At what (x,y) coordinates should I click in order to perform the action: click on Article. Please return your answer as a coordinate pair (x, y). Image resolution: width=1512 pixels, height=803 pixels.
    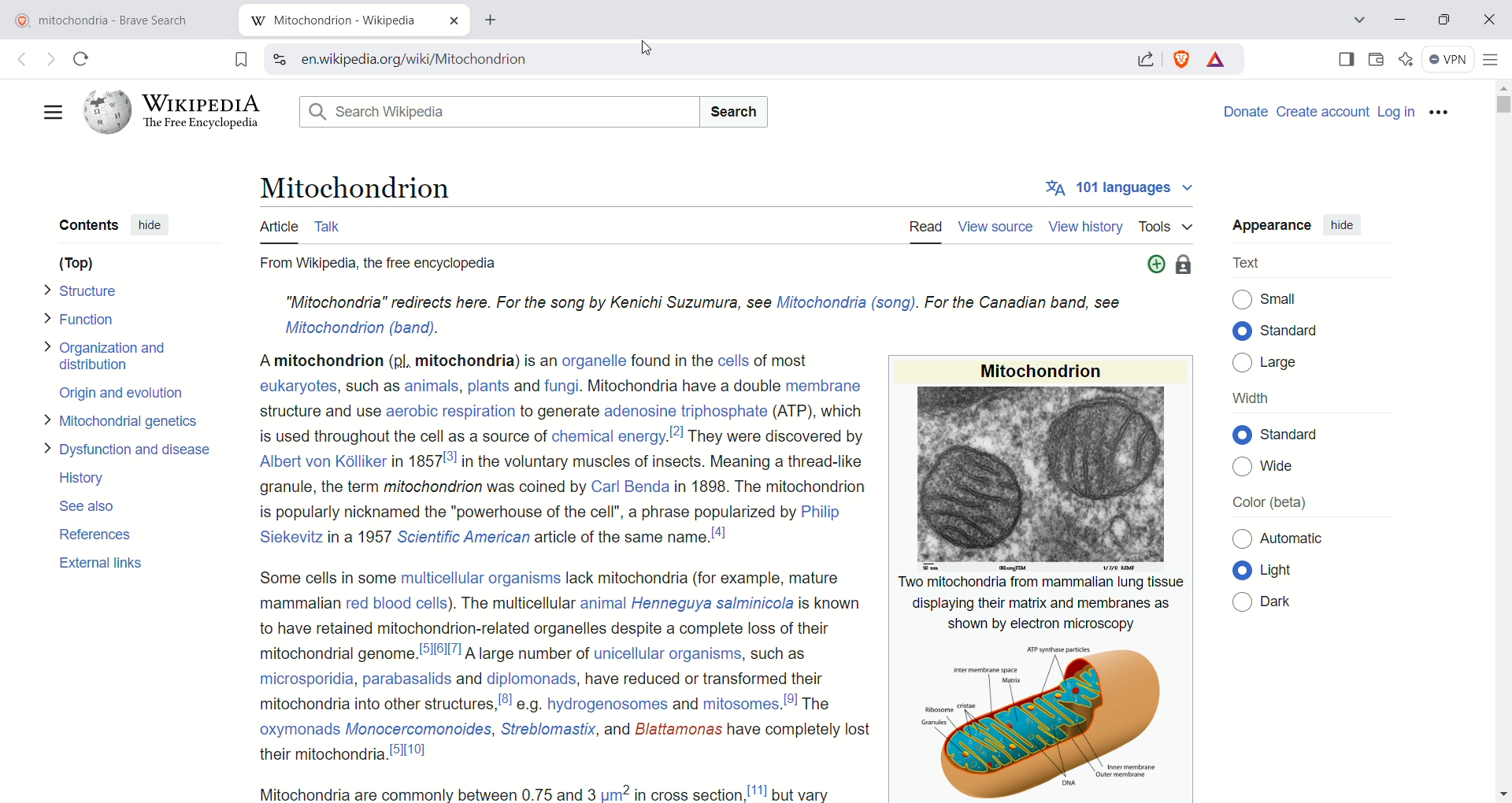
    Looking at the image, I should click on (277, 228).